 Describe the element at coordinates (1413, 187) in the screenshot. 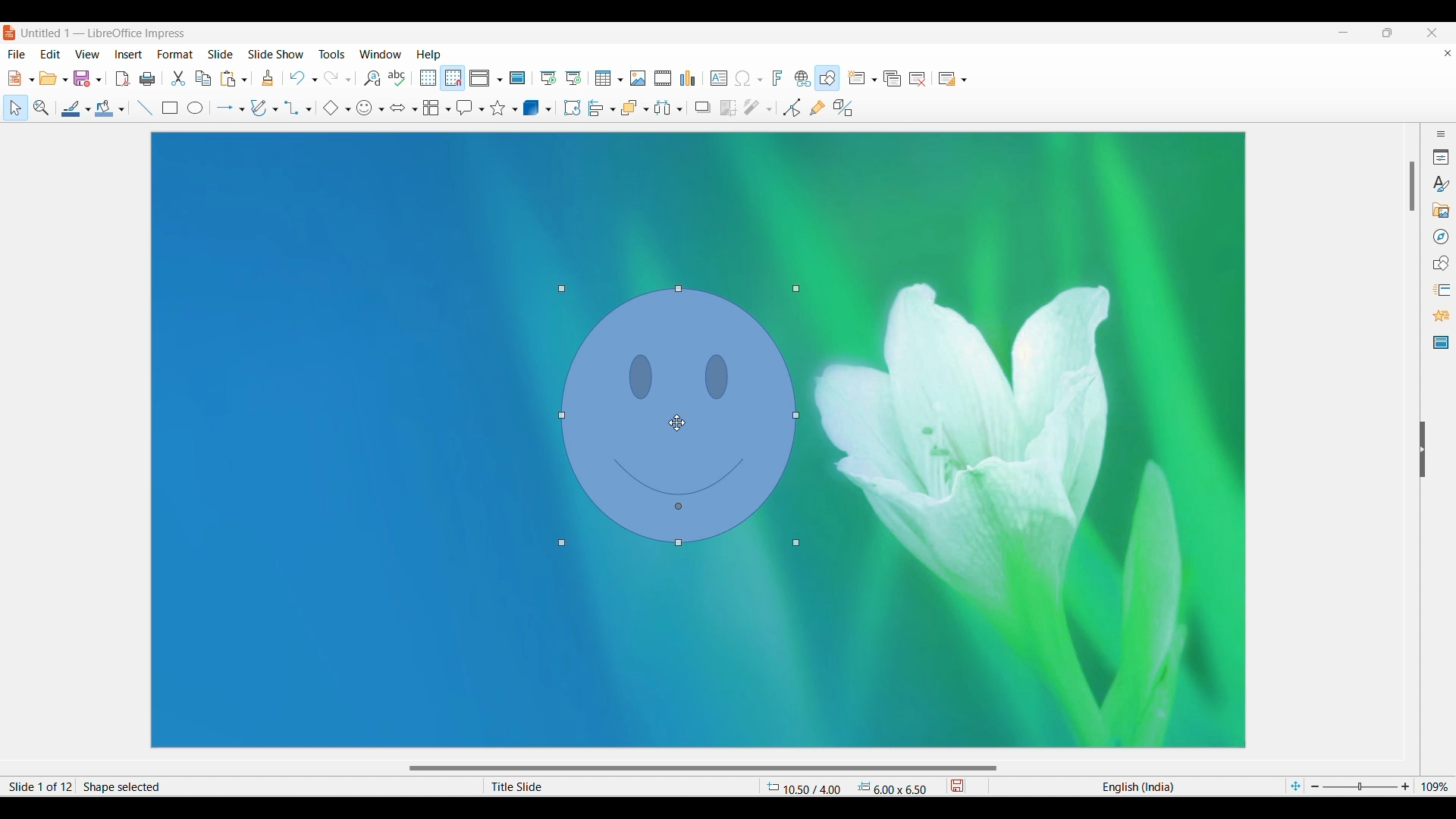

I see `Vertical slide bar` at that location.